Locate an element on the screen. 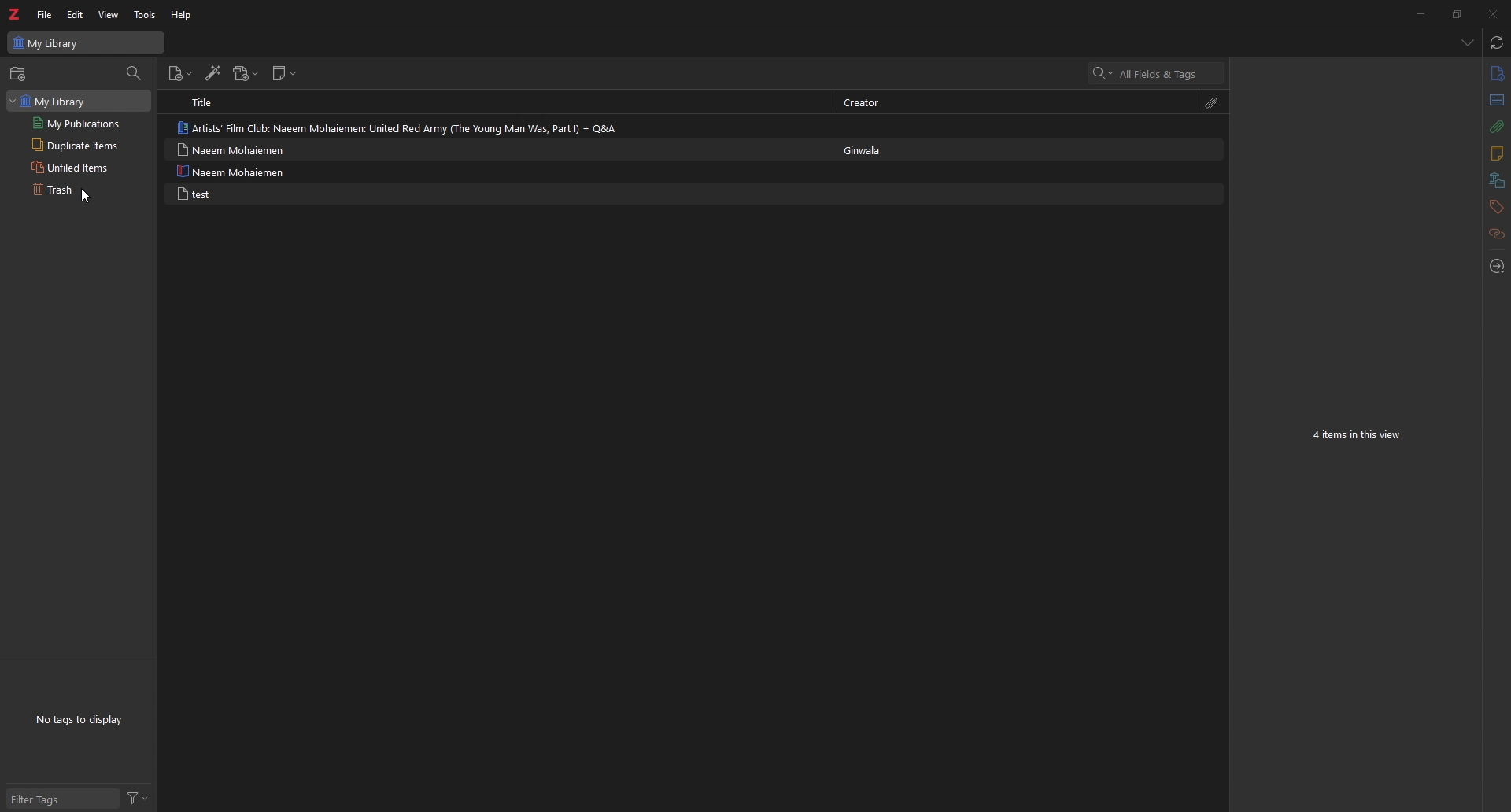 This screenshot has width=1511, height=812. note is located at coordinates (242, 149).